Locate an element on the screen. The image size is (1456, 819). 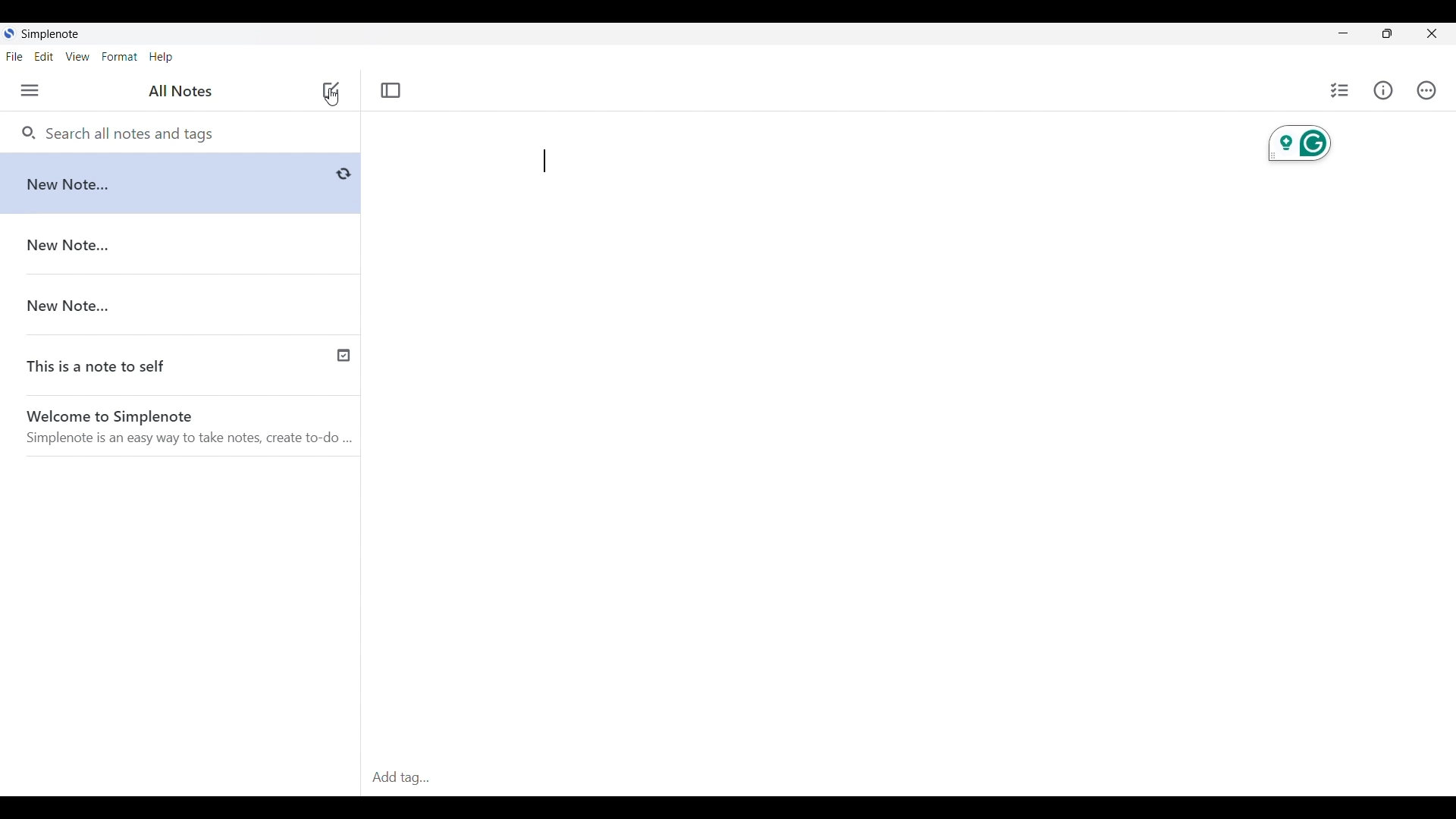
Cursor position unchanged is located at coordinates (331, 97).